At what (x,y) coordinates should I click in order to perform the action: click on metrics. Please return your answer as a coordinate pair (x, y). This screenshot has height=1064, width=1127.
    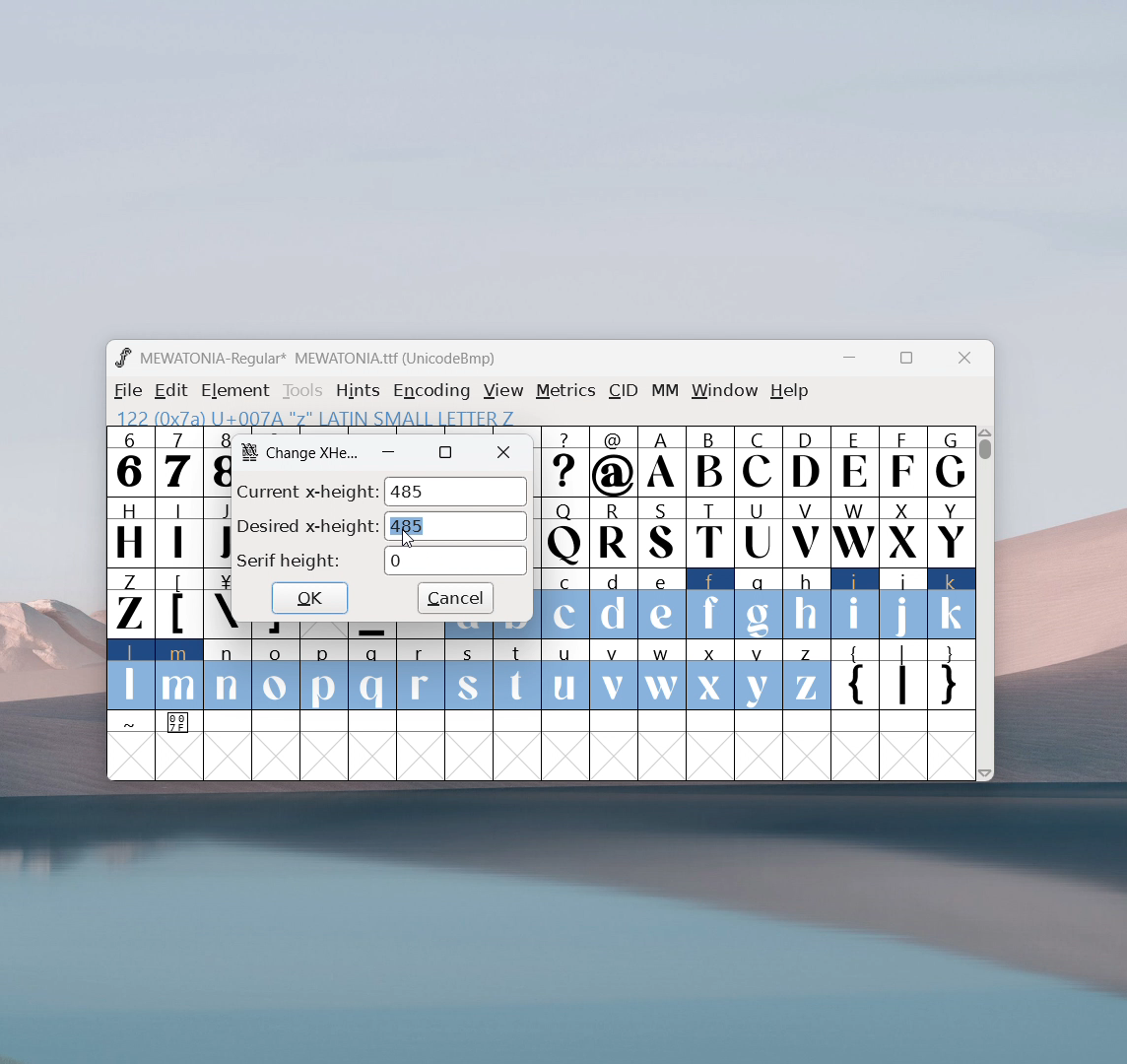
    Looking at the image, I should click on (565, 391).